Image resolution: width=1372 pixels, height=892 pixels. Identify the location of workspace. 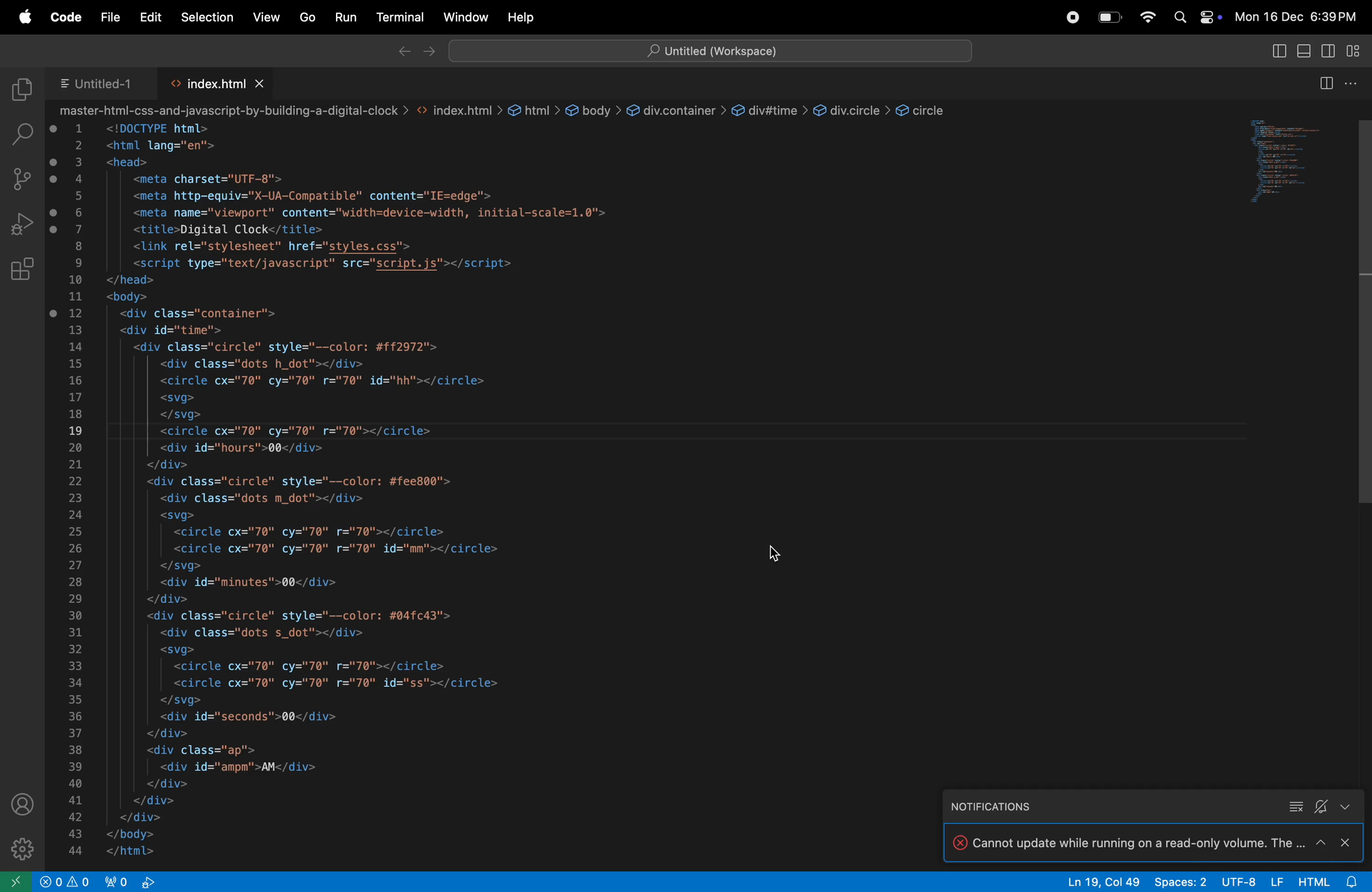
(710, 50).